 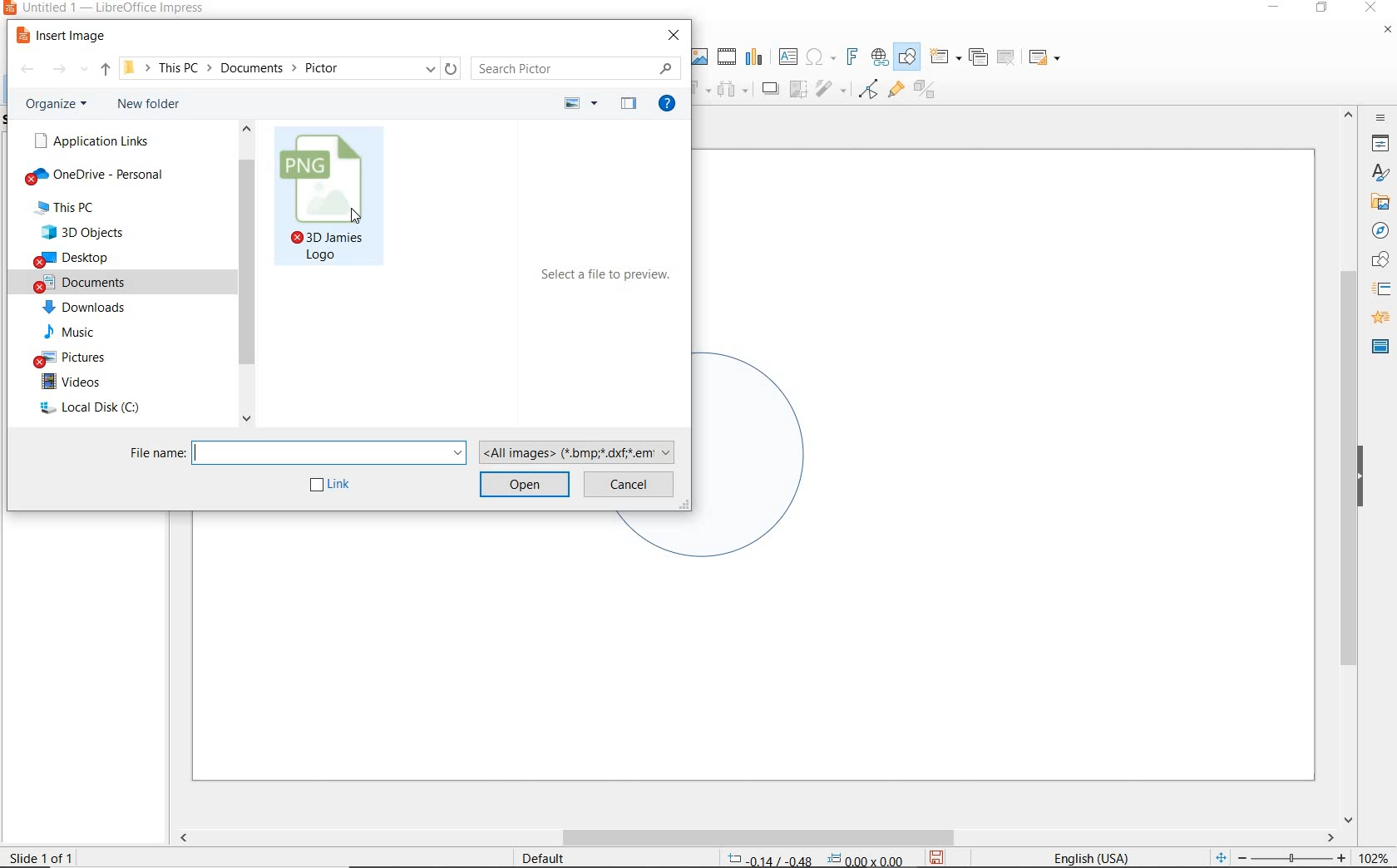 What do you see at coordinates (1377, 201) in the screenshot?
I see `gallery` at bounding box center [1377, 201].